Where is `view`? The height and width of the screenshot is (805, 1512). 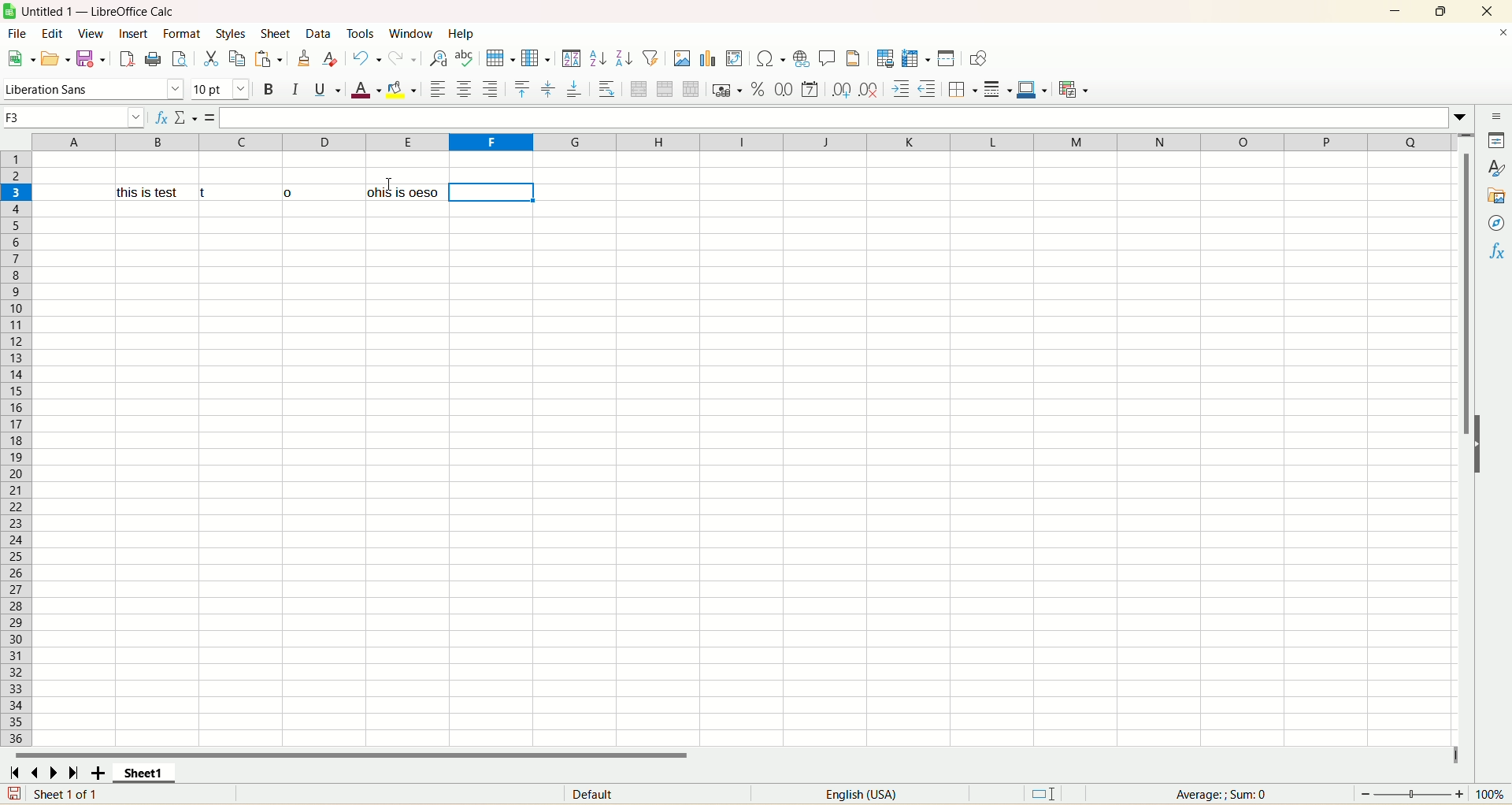 view is located at coordinates (91, 33).